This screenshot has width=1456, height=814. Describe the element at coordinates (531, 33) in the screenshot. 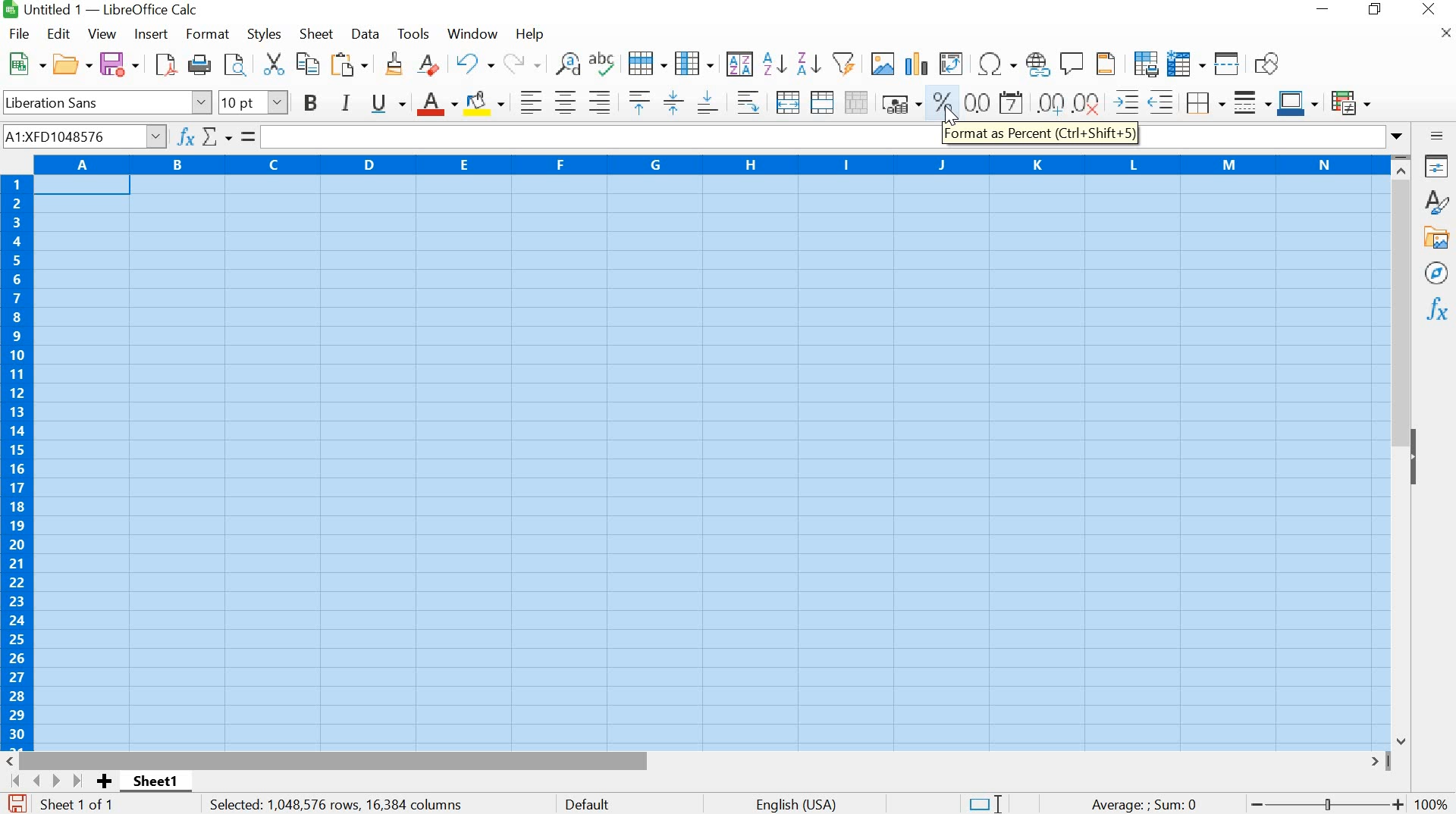

I see `HELP` at that location.